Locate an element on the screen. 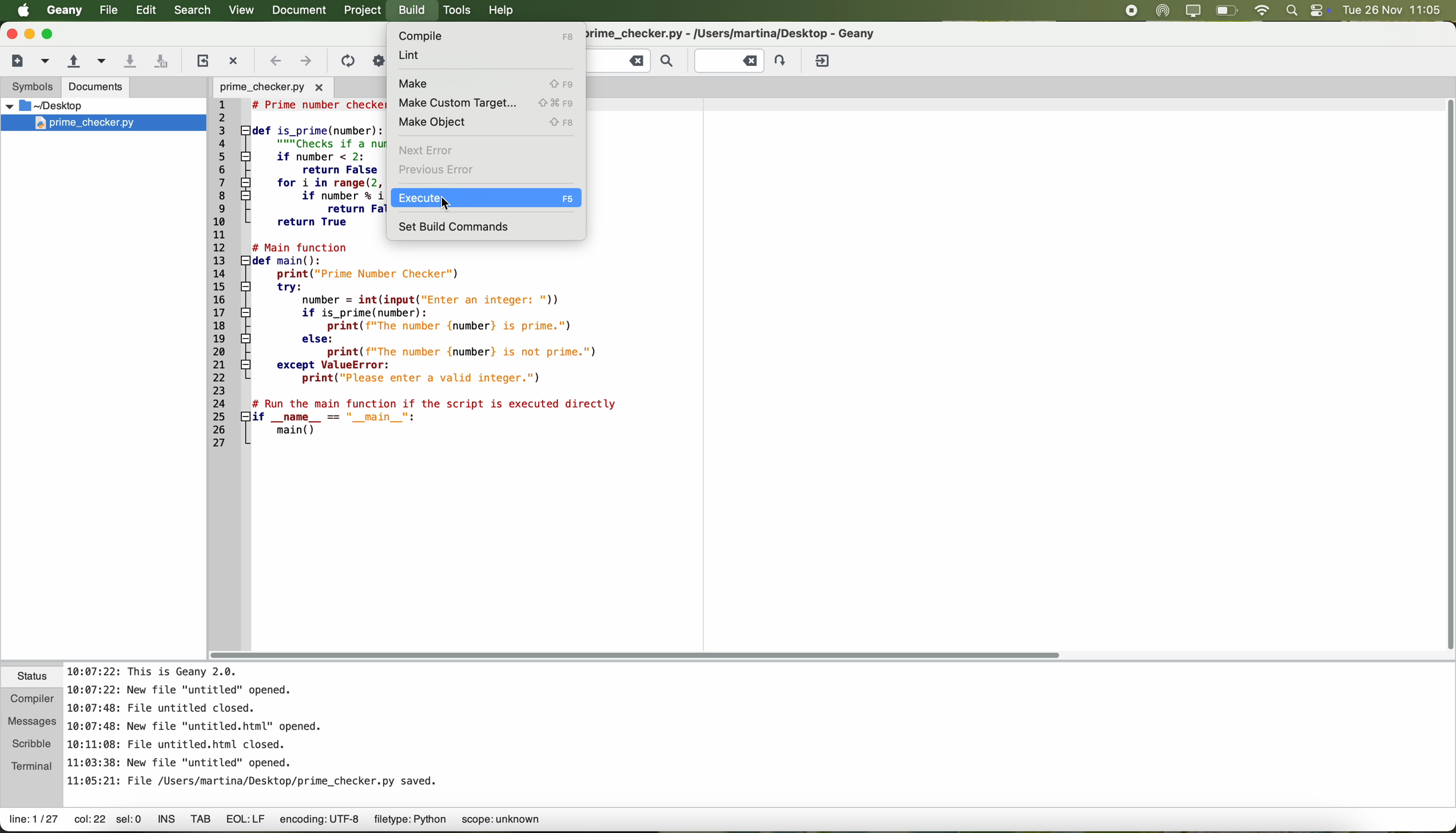 The width and height of the screenshot is (1456, 833). symbols is located at coordinates (30, 89).